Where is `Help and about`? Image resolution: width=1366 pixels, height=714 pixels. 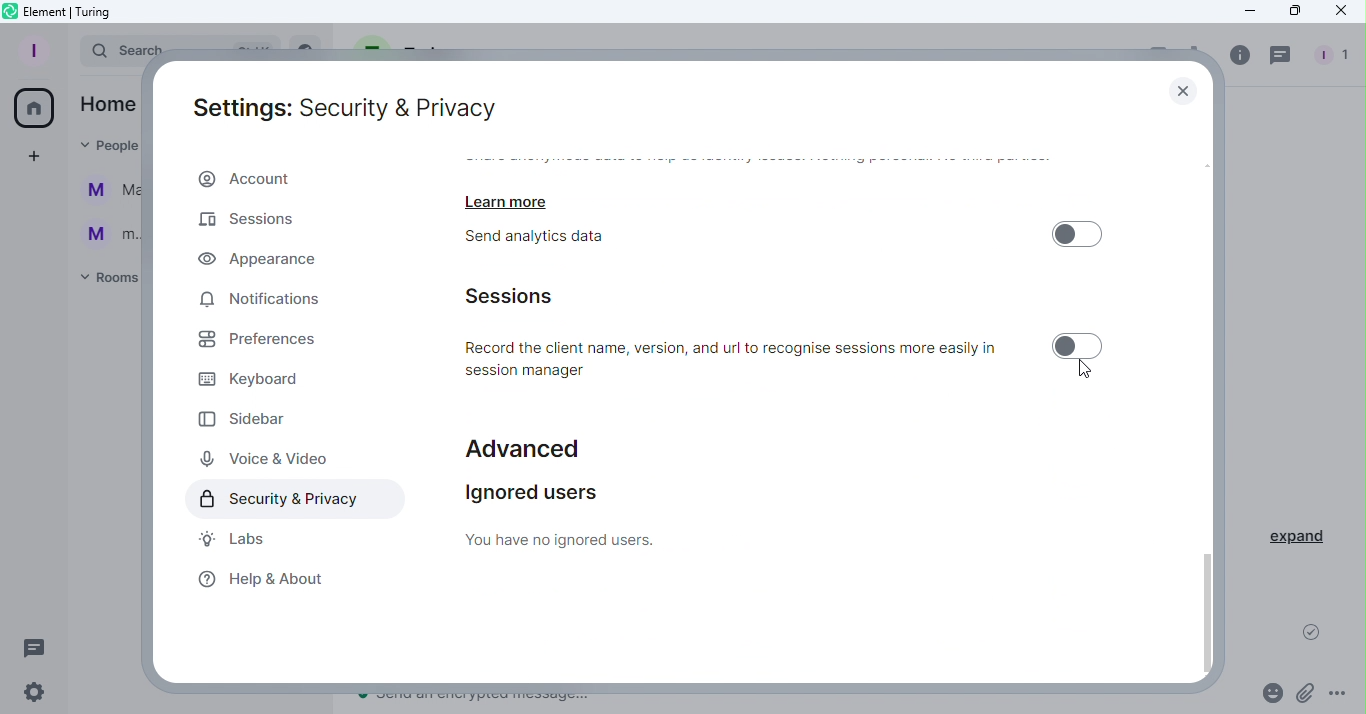 Help and about is located at coordinates (265, 582).